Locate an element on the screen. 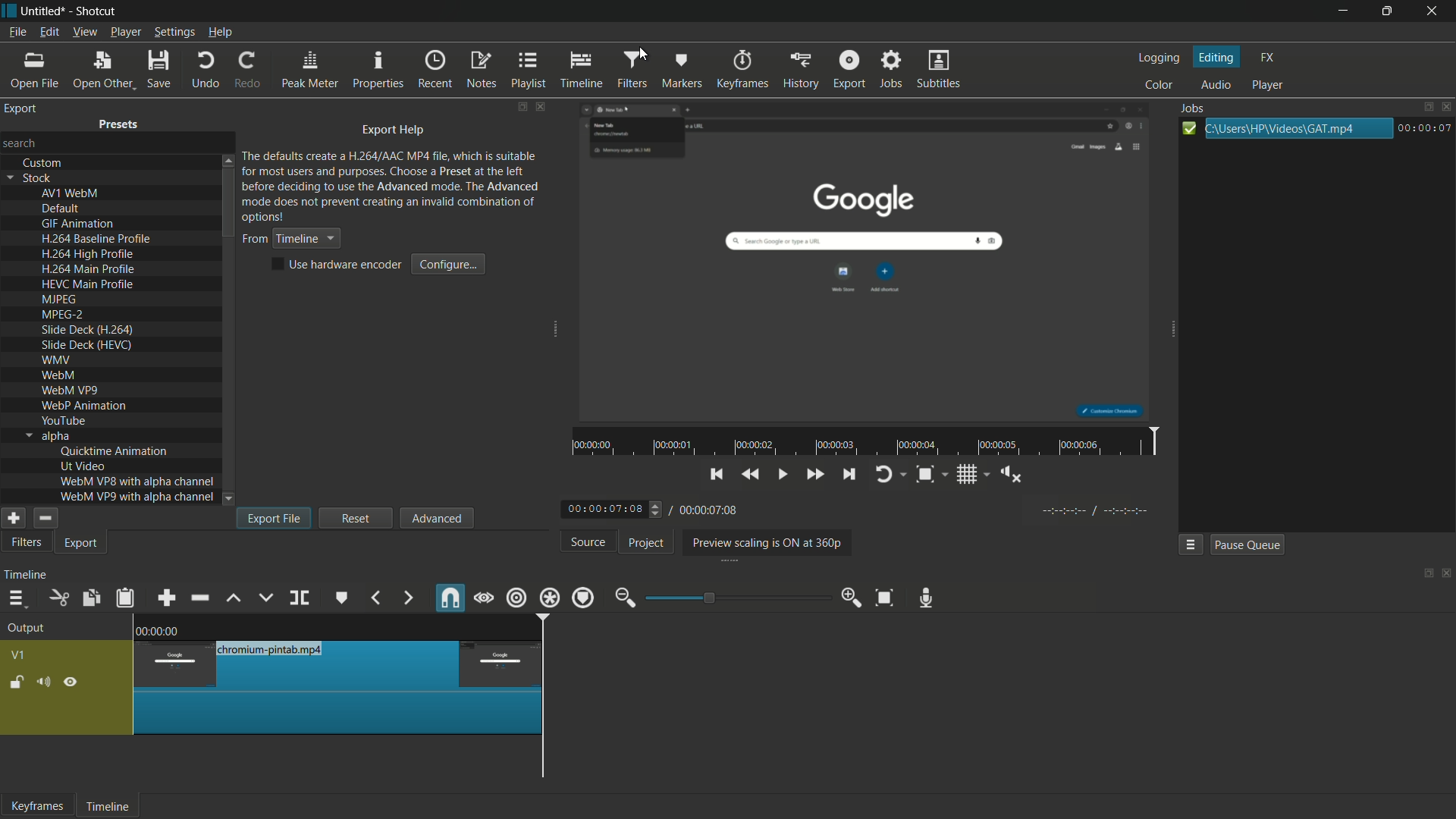 The height and width of the screenshot is (819, 1456). toggle player looping is located at coordinates (886, 473).